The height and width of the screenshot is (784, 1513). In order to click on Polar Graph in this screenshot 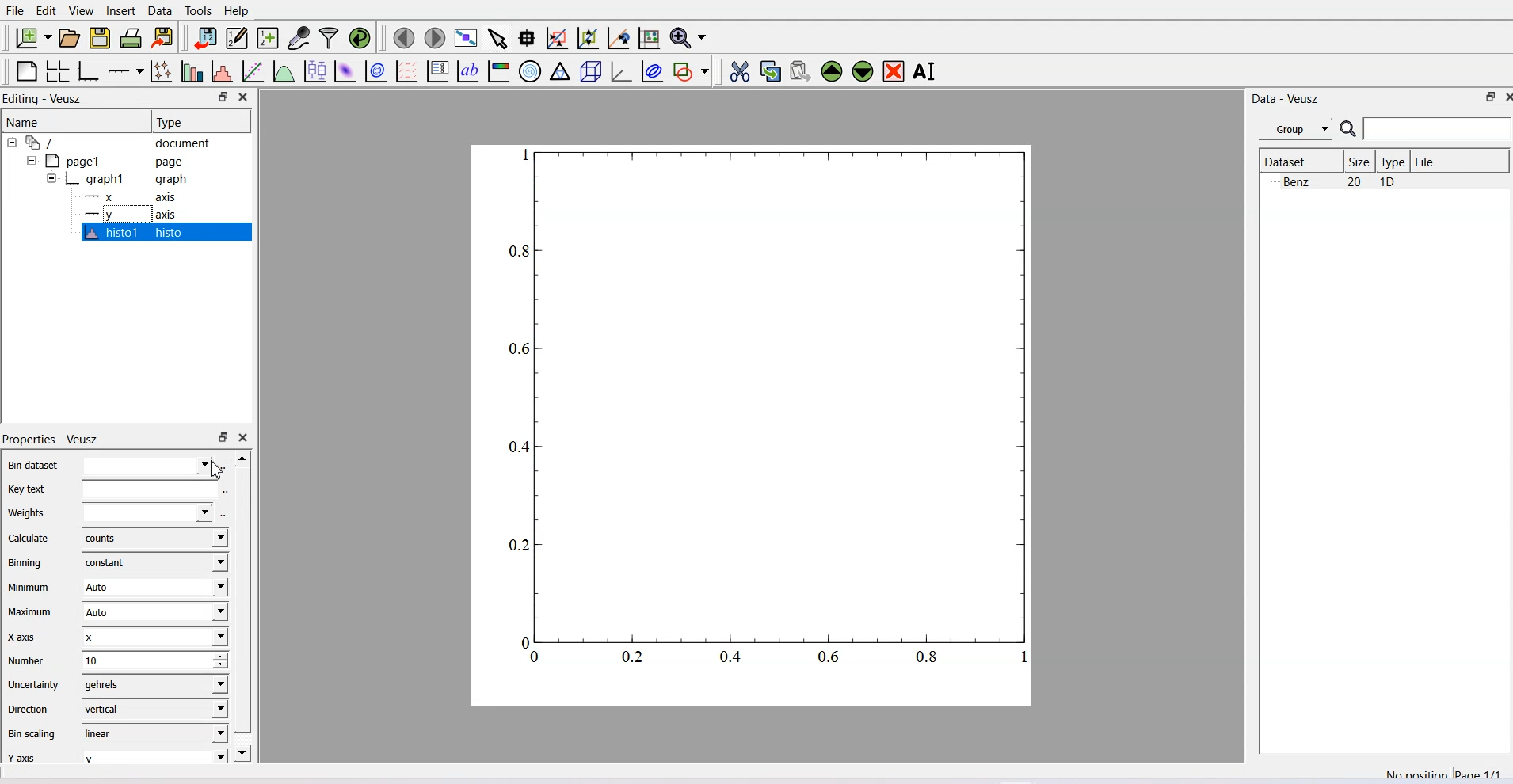, I will do `click(530, 72)`.